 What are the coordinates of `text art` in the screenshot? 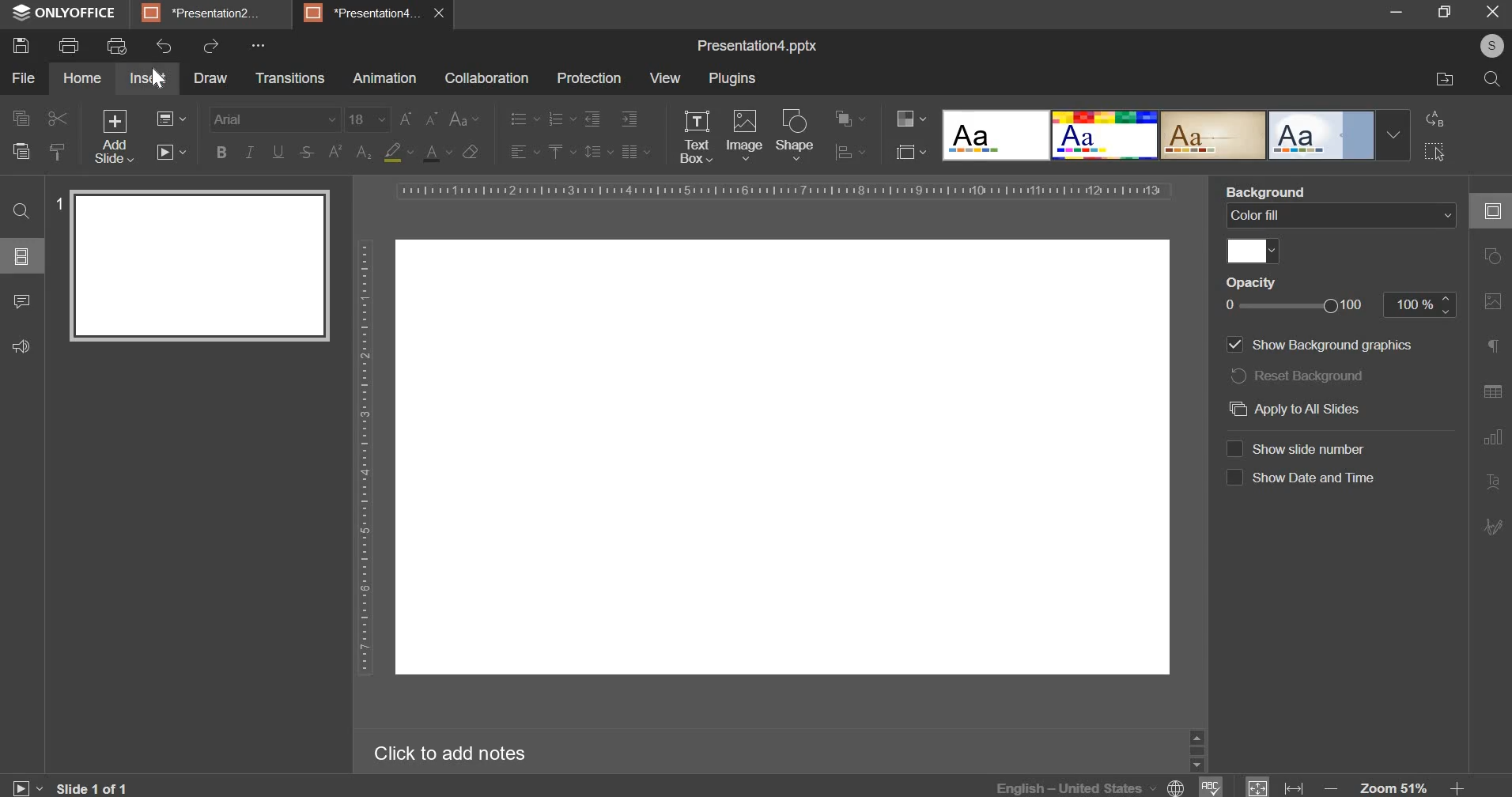 It's located at (1495, 481).